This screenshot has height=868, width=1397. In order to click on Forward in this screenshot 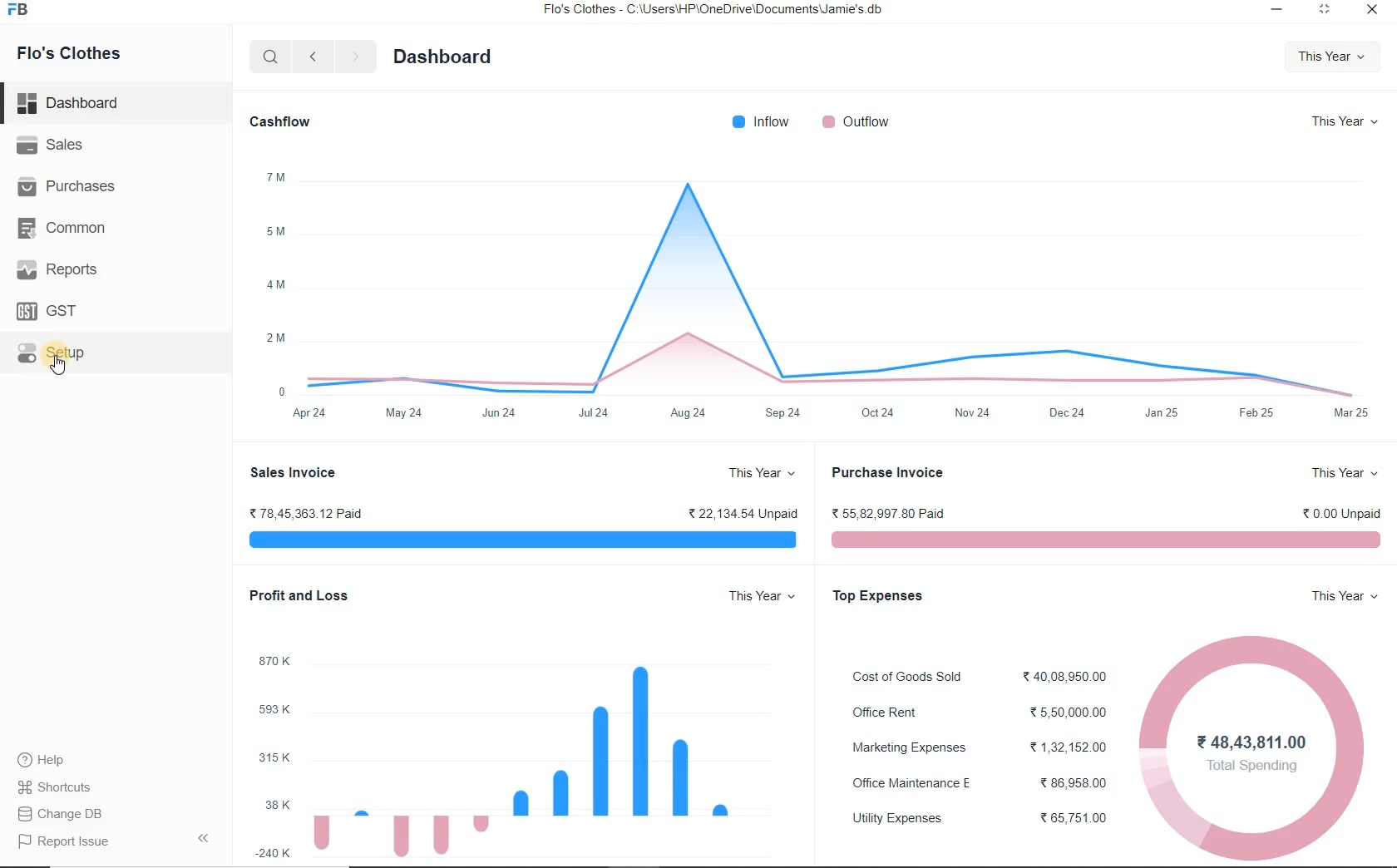, I will do `click(354, 55)`.